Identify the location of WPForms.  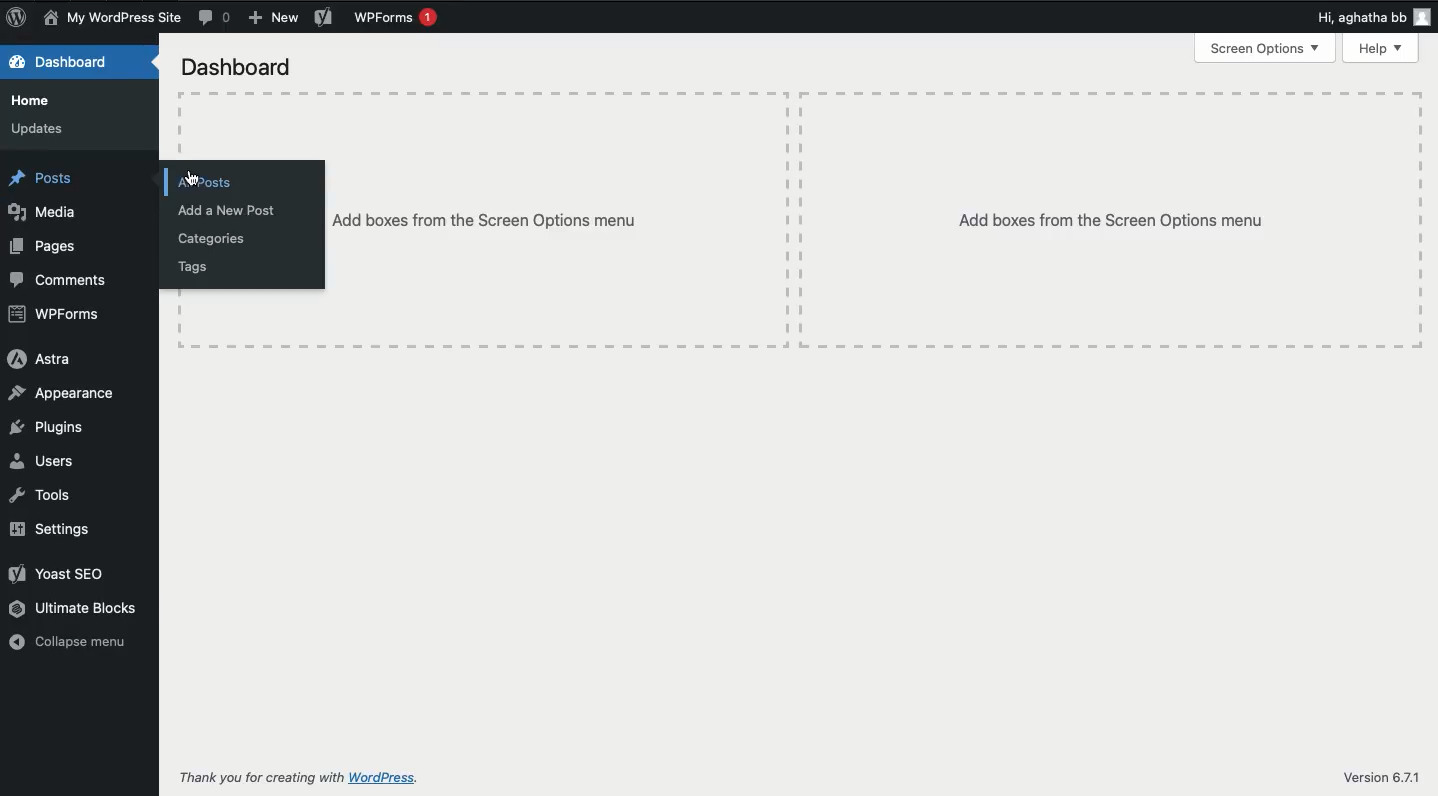
(401, 18).